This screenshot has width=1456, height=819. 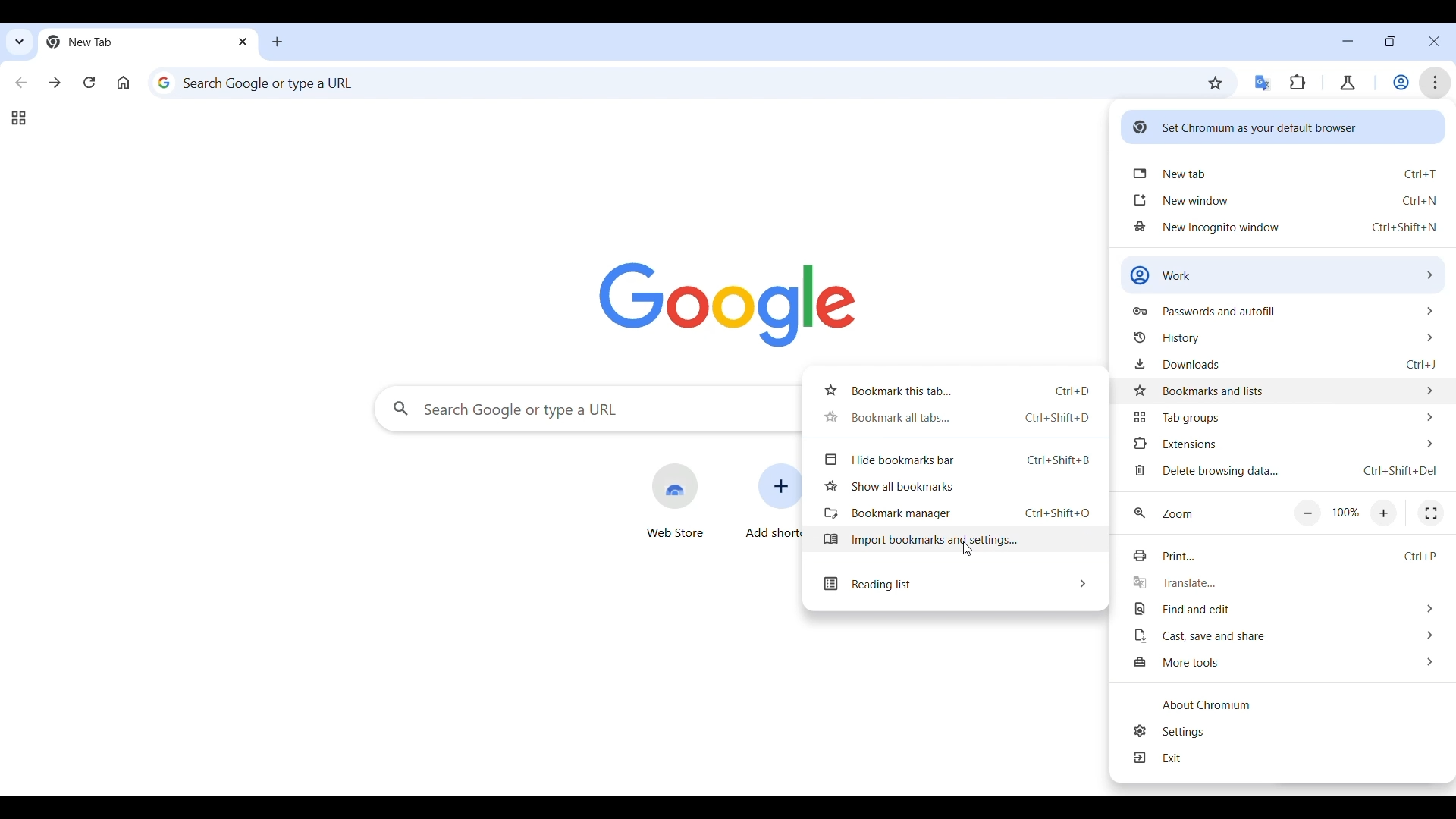 I want to click on Current zoom factor, so click(x=1346, y=513).